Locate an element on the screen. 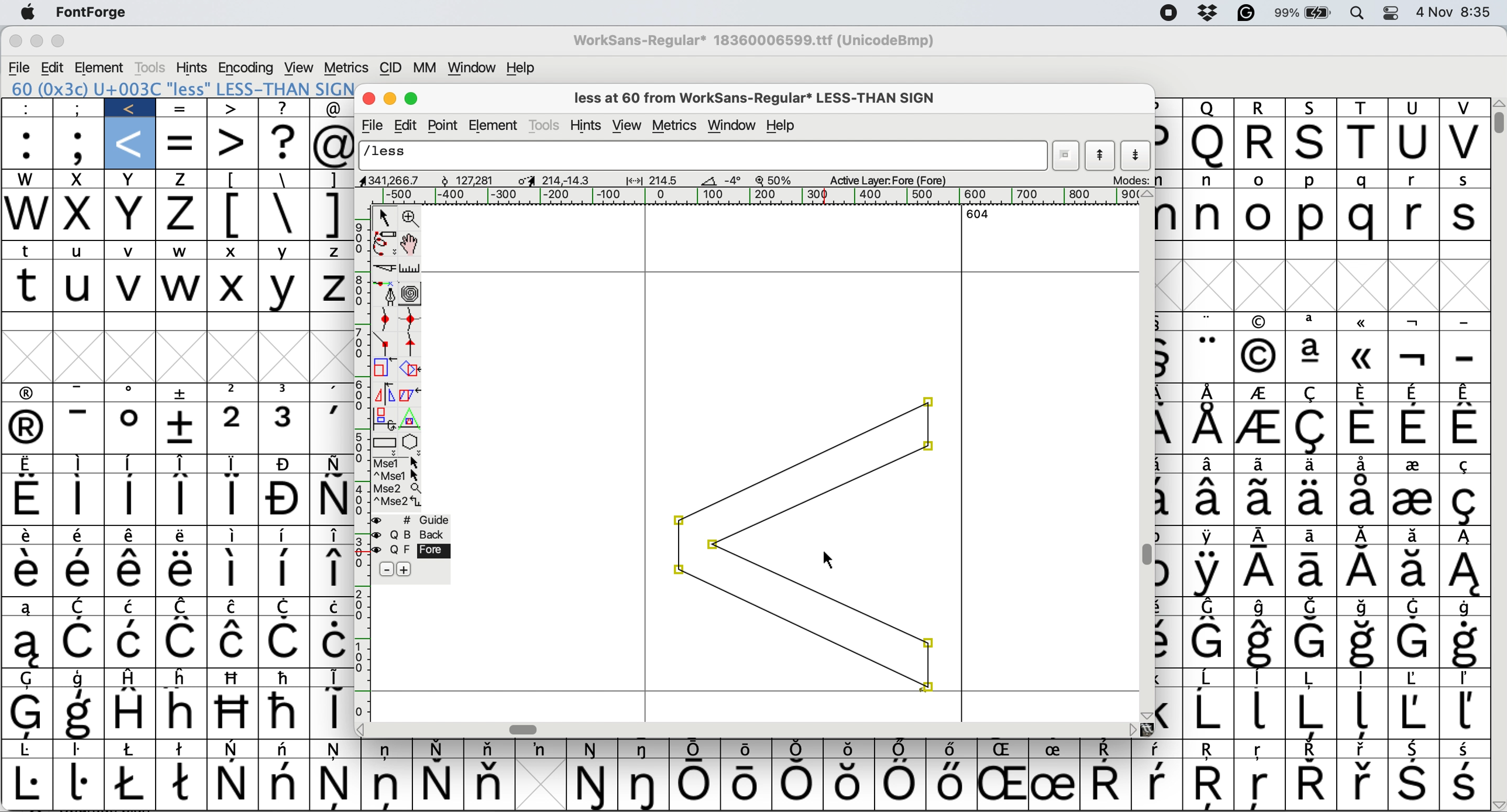 The height and width of the screenshot is (812, 1507). Symbol is located at coordinates (1264, 320).